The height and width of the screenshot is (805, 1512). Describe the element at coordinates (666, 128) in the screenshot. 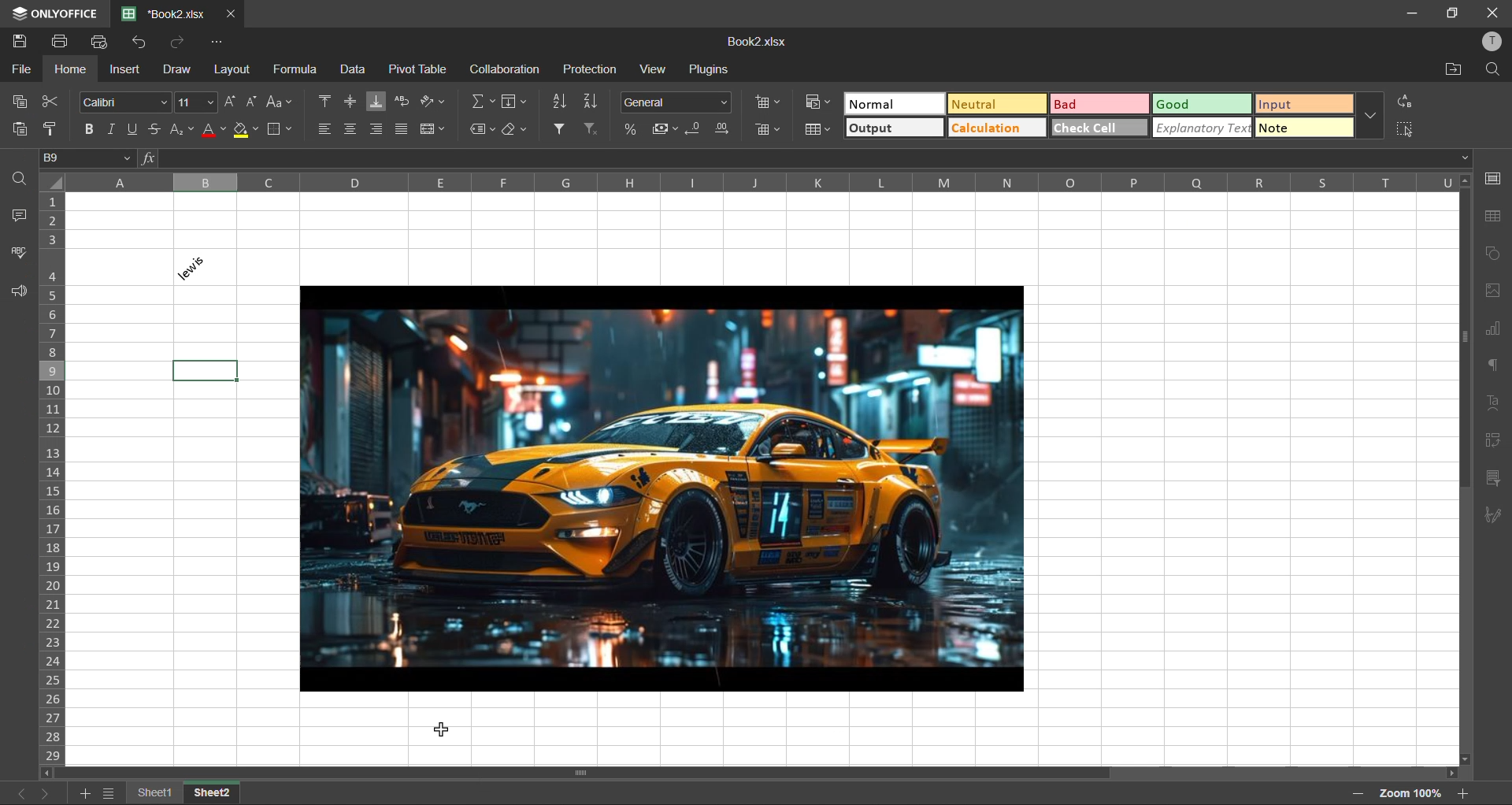

I see `accounting` at that location.